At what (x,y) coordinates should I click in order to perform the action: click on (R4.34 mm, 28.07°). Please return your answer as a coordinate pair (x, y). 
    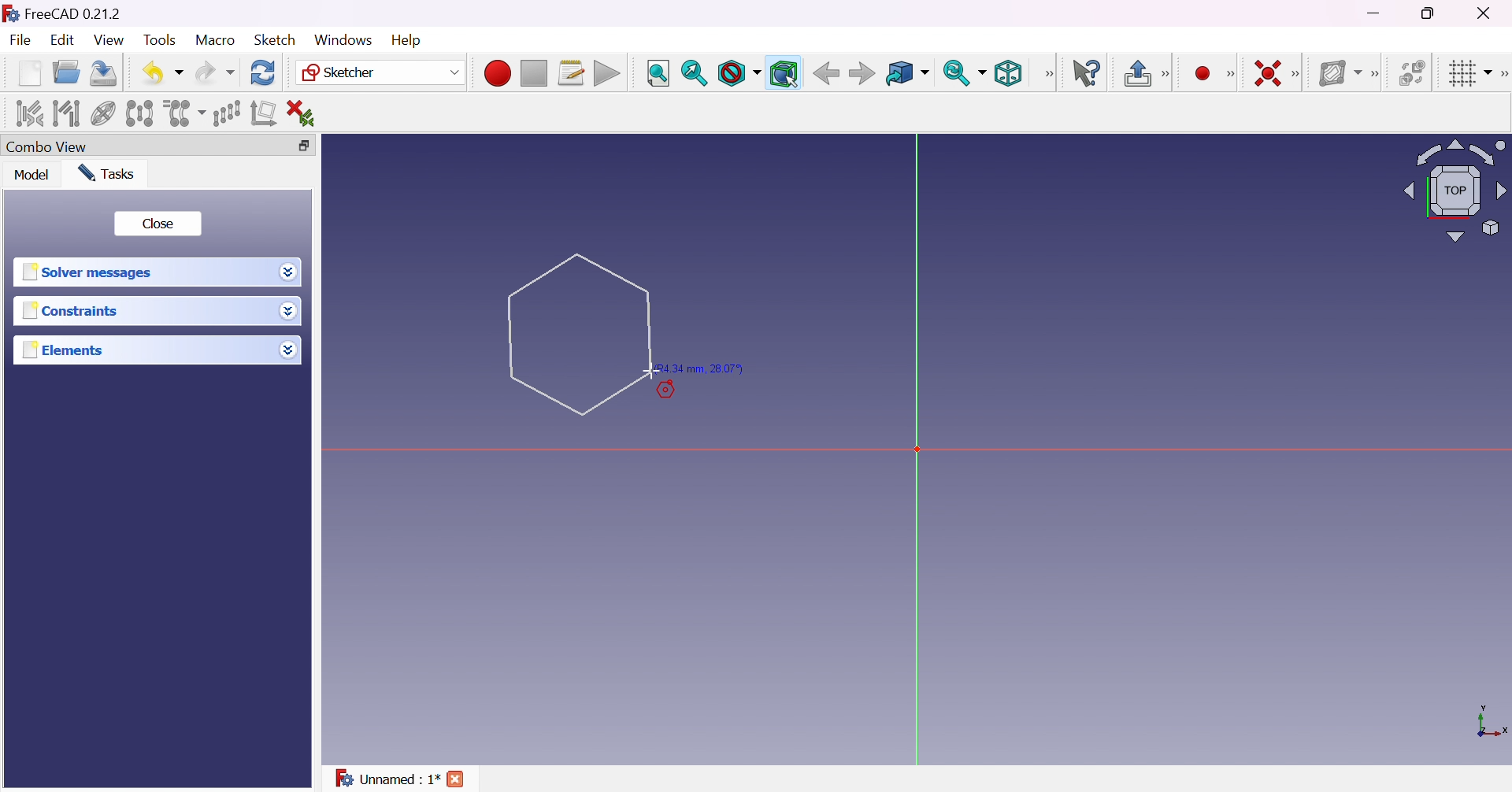
    Looking at the image, I should click on (702, 369).